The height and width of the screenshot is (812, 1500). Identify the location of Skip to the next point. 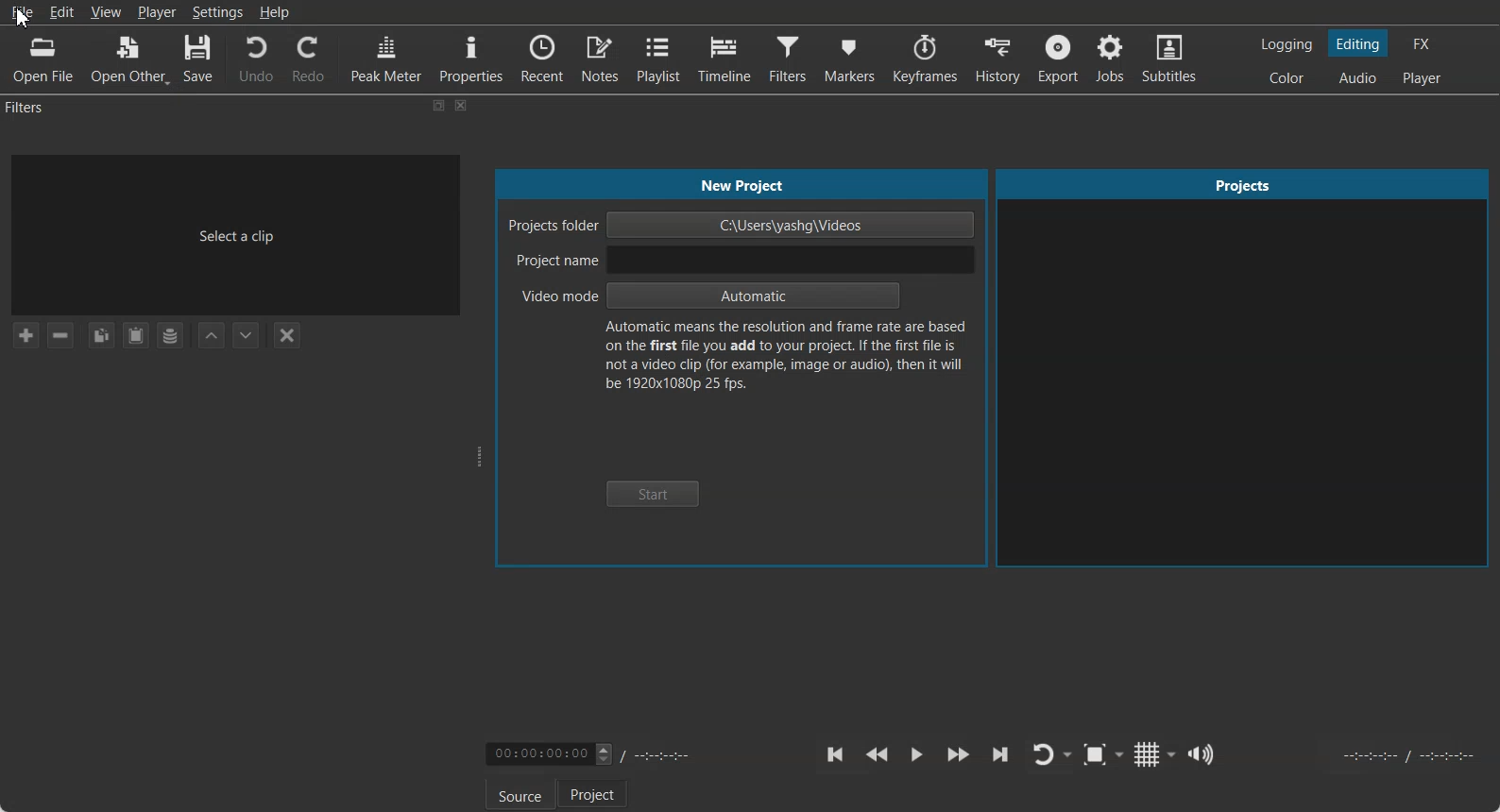
(999, 753).